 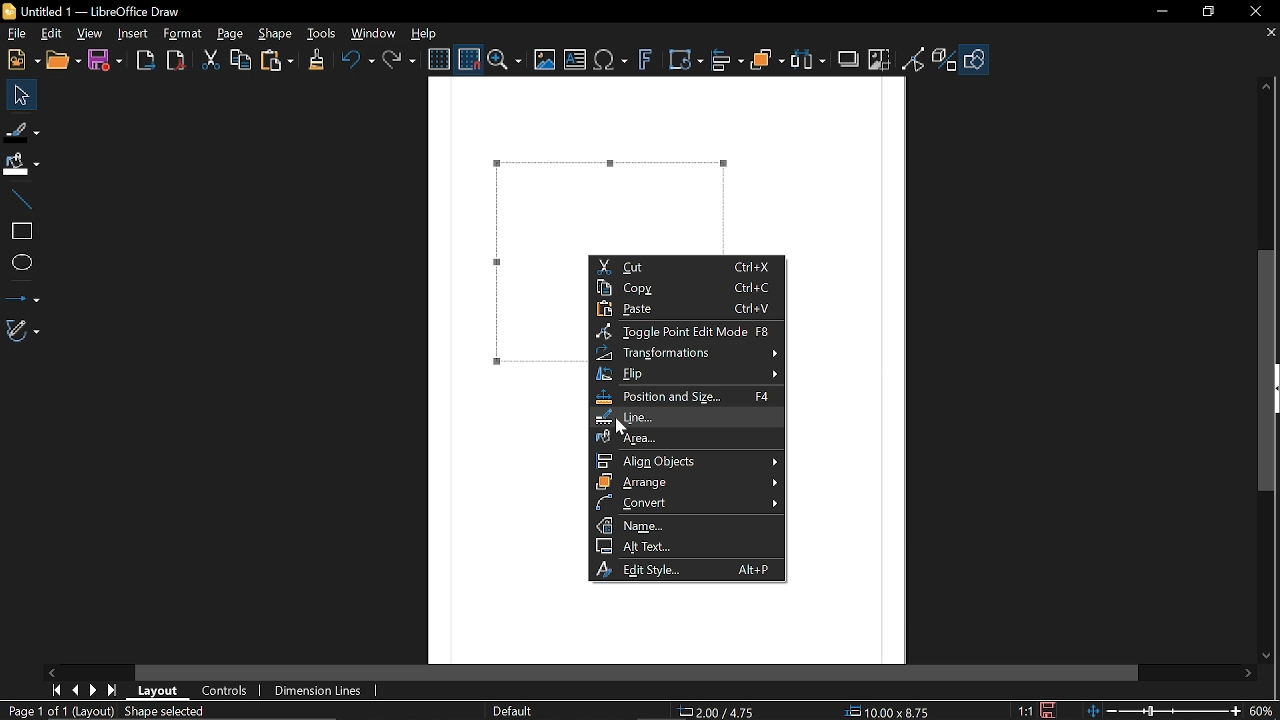 I want to click on paste, so click(x=278, y=60).